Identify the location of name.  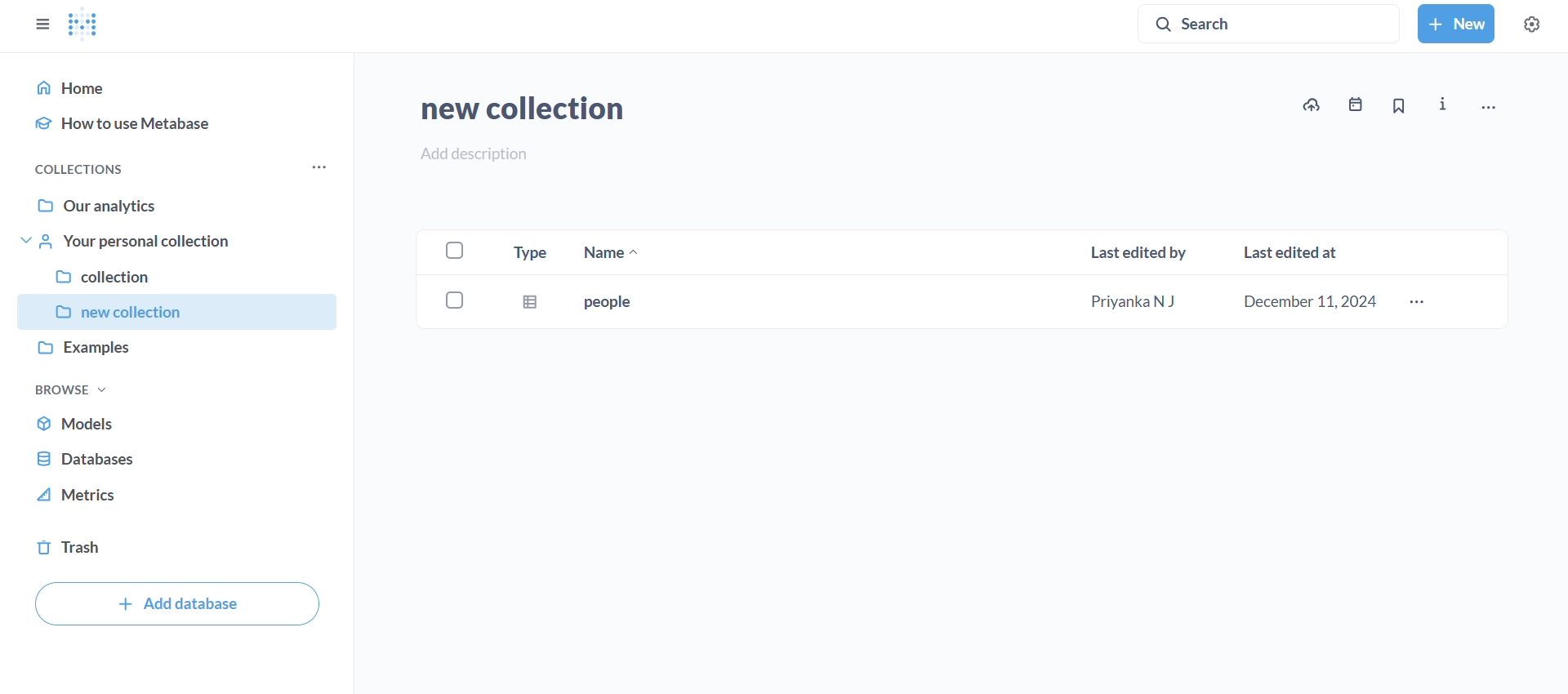
(611, 252).